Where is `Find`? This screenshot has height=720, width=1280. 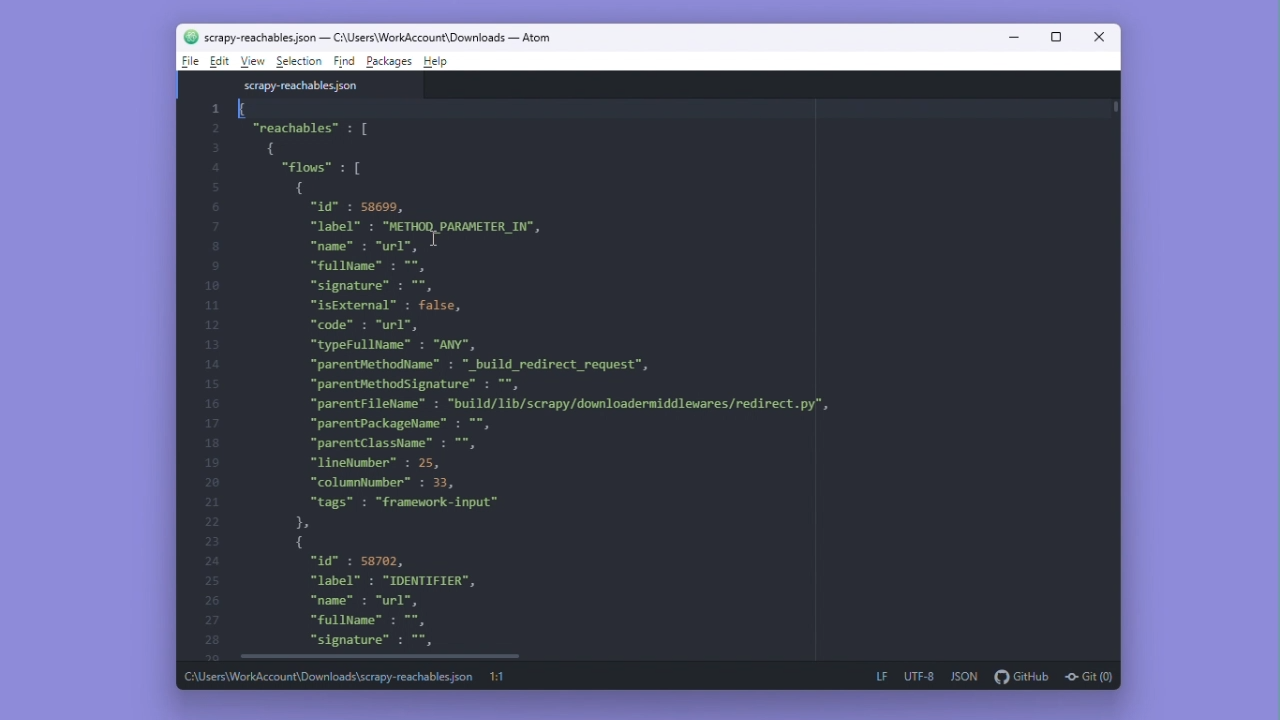 Find is located at coordinates (344, 63).